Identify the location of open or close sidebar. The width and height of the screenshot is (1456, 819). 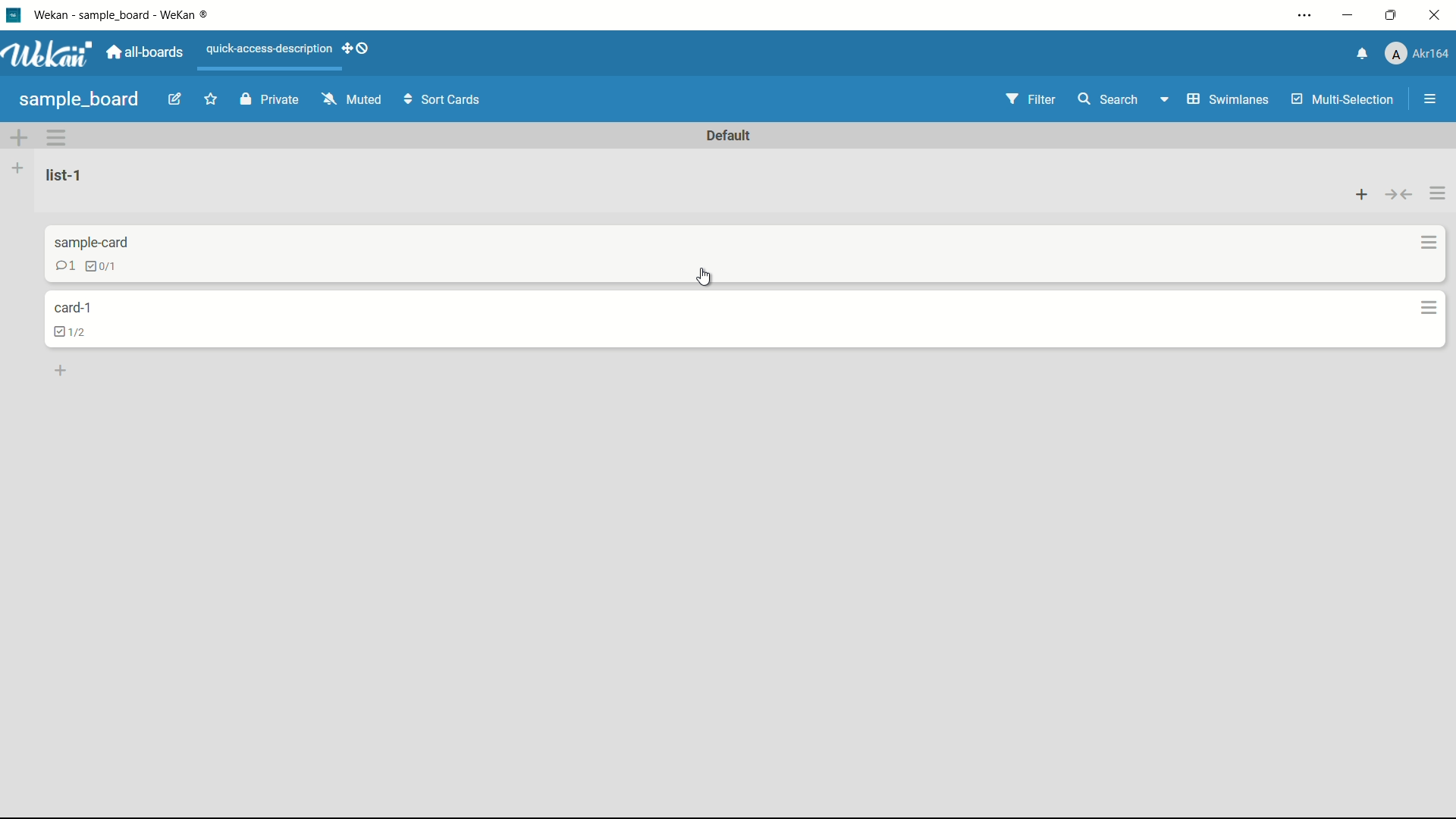
(1429, 99).